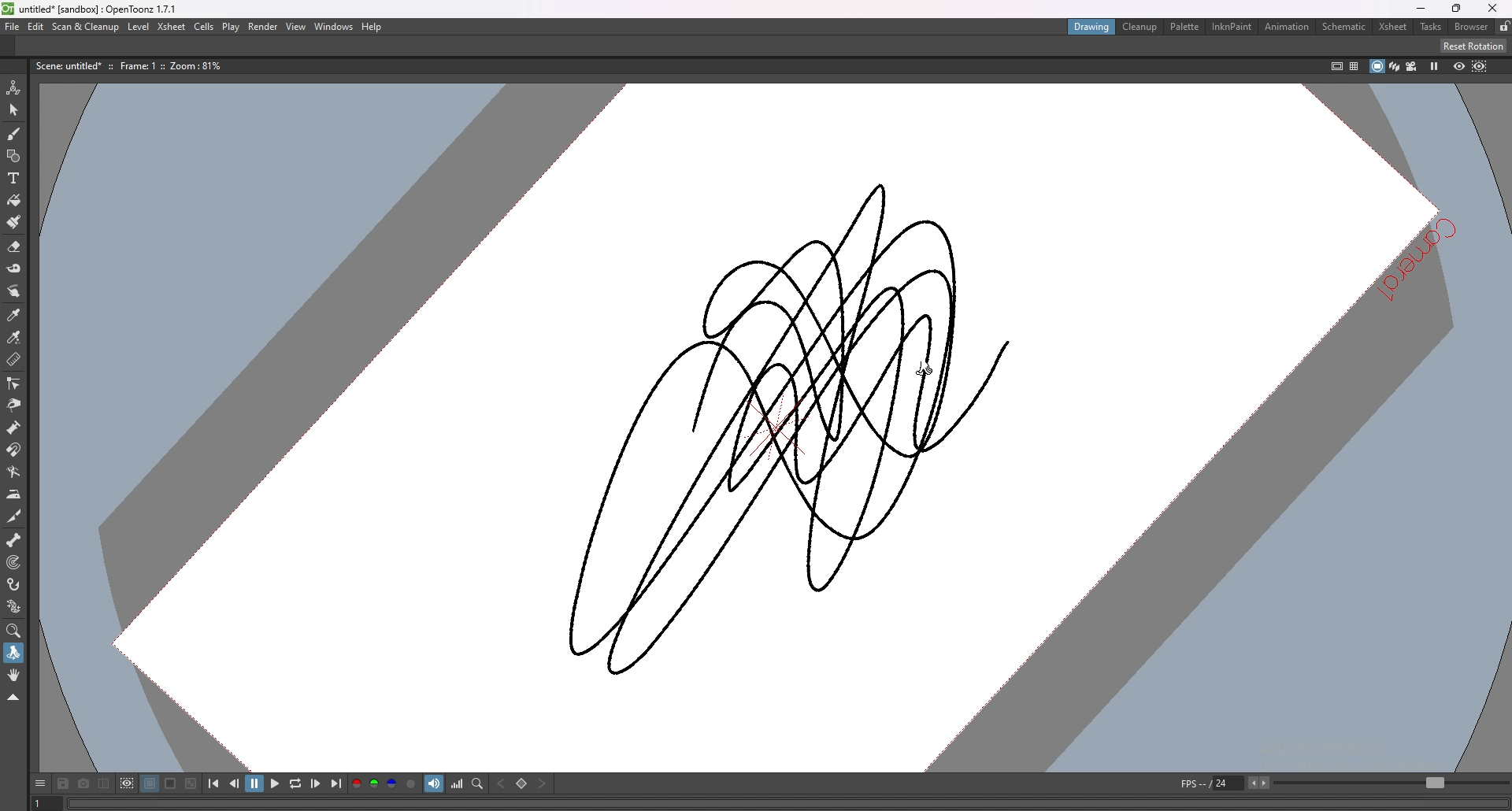 The width and height of the screenshot is (1512, 811). What do you see at coordinates (13, 157) in the screenshot?
I see `shapes tool` at bounding box center [13, 157].